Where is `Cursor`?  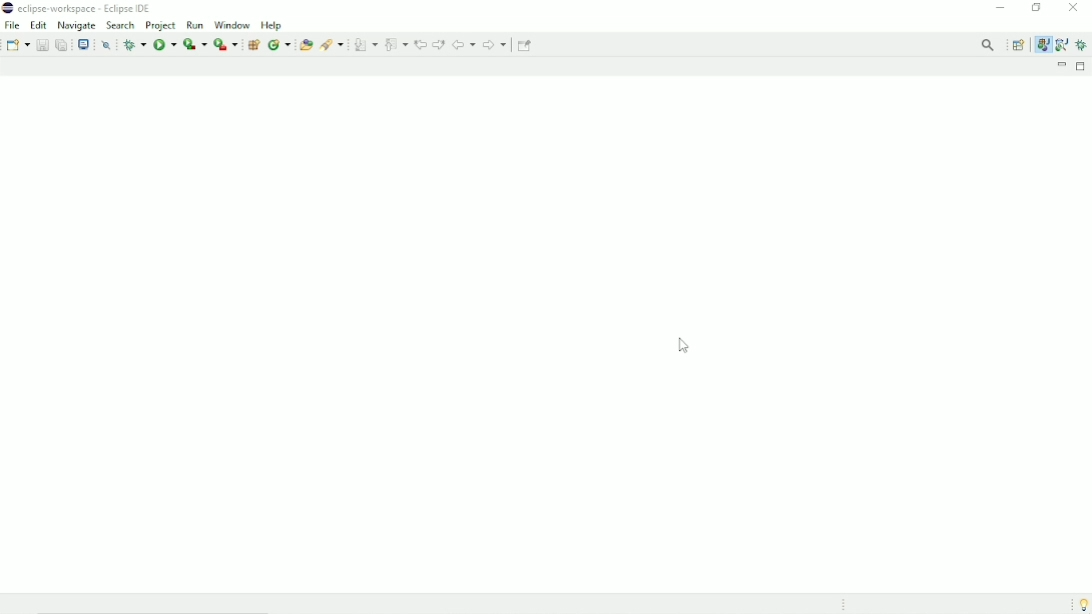
Cursor is located at coordinates (684, 344).